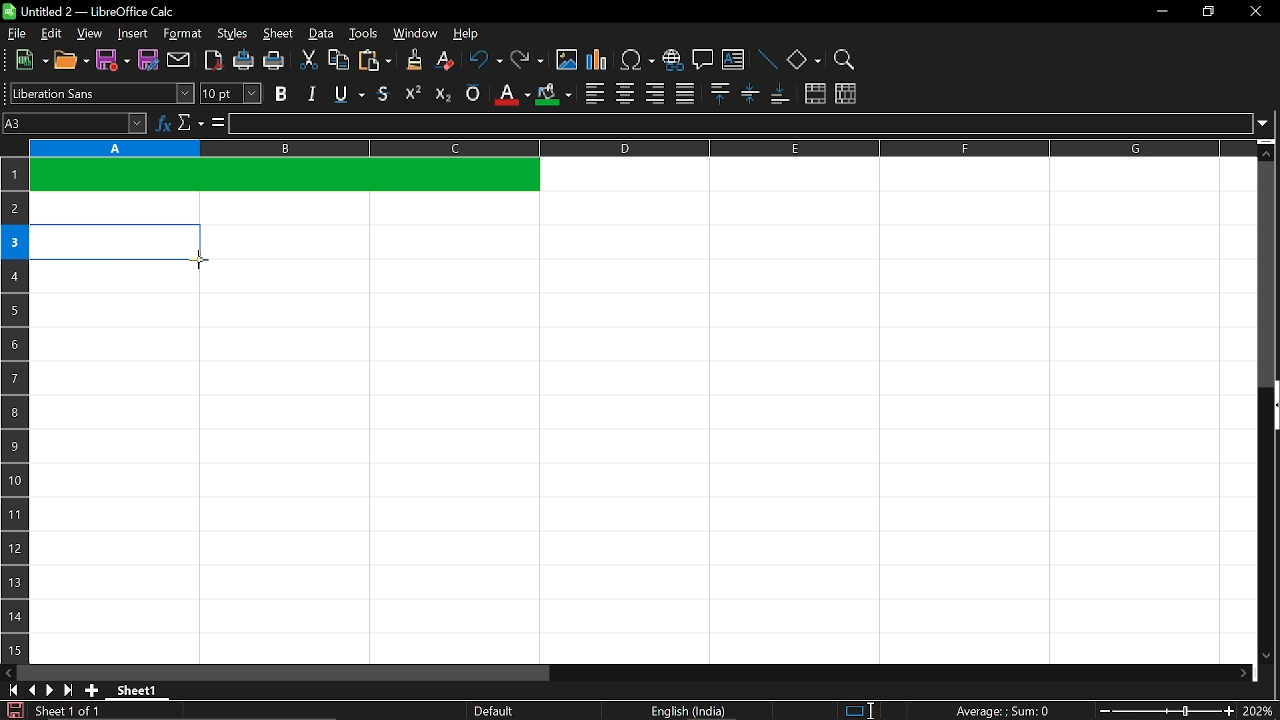  I want to click on move down, so click(1270, 657).